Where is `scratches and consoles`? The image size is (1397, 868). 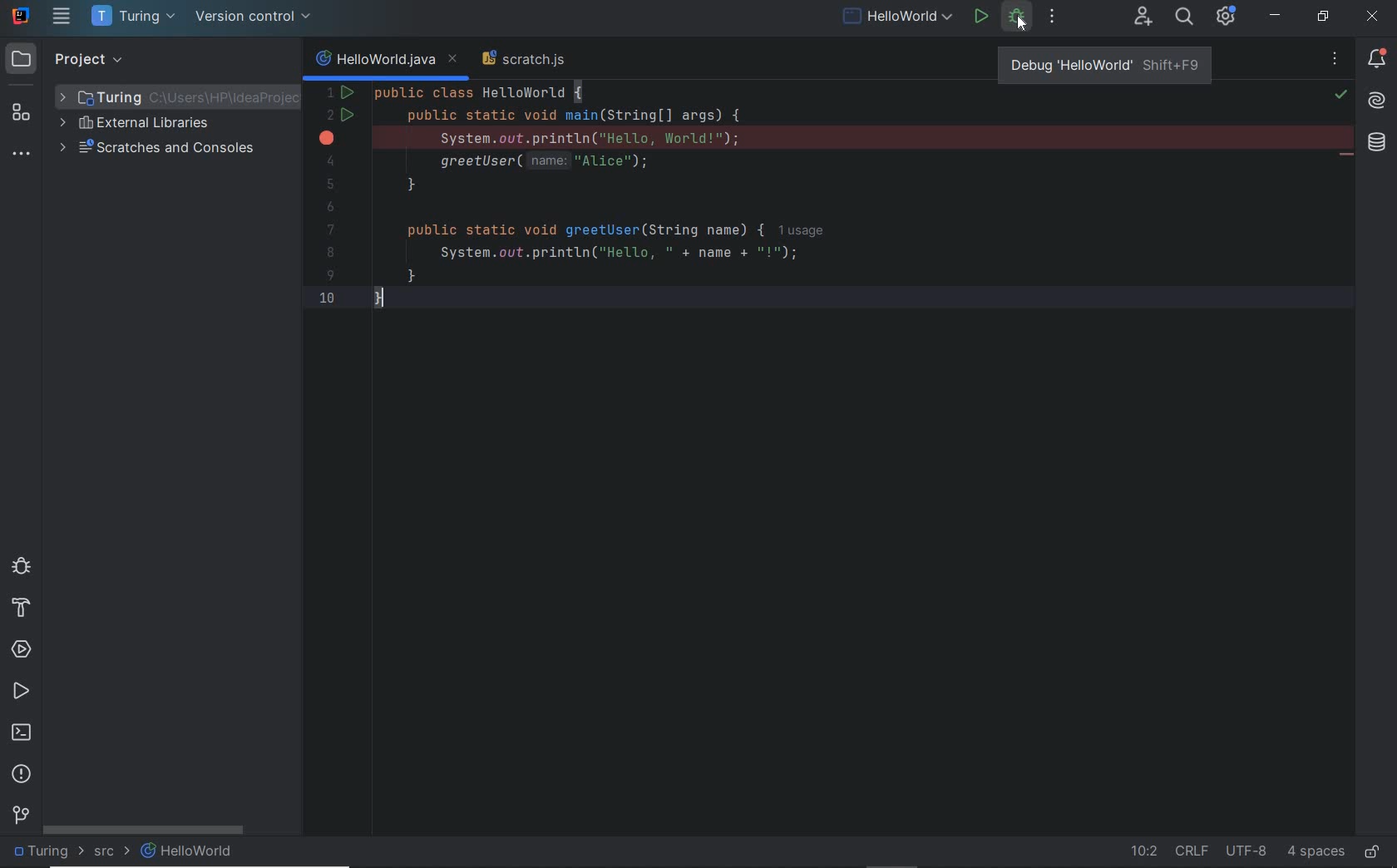
scratches and consoles is located at coordinates (160, 150).